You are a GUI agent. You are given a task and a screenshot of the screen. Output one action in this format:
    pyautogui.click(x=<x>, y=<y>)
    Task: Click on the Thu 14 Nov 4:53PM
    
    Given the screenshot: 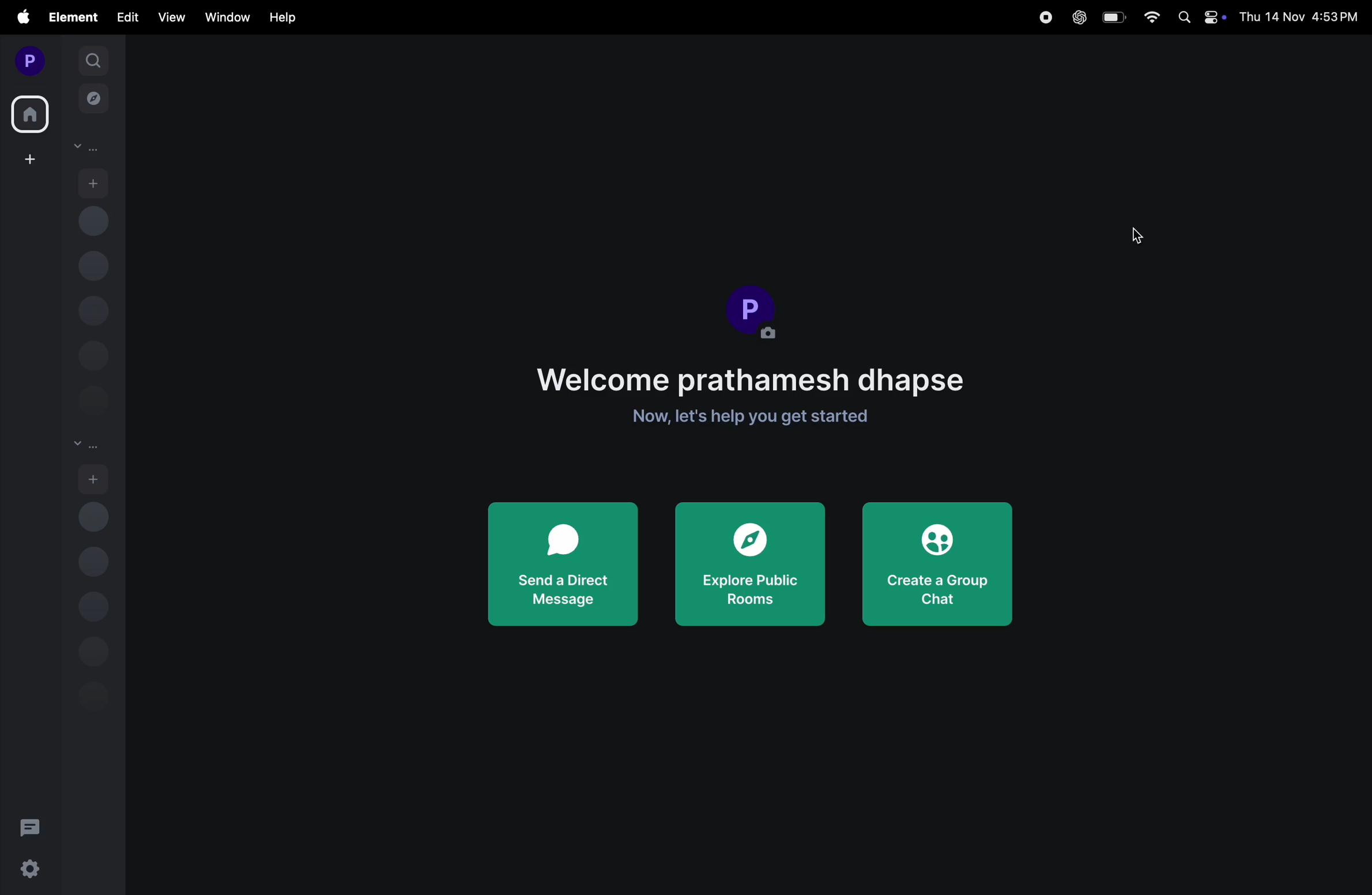 What is the action you would take?
    pyautogui.click(x=1298, y=16)
    